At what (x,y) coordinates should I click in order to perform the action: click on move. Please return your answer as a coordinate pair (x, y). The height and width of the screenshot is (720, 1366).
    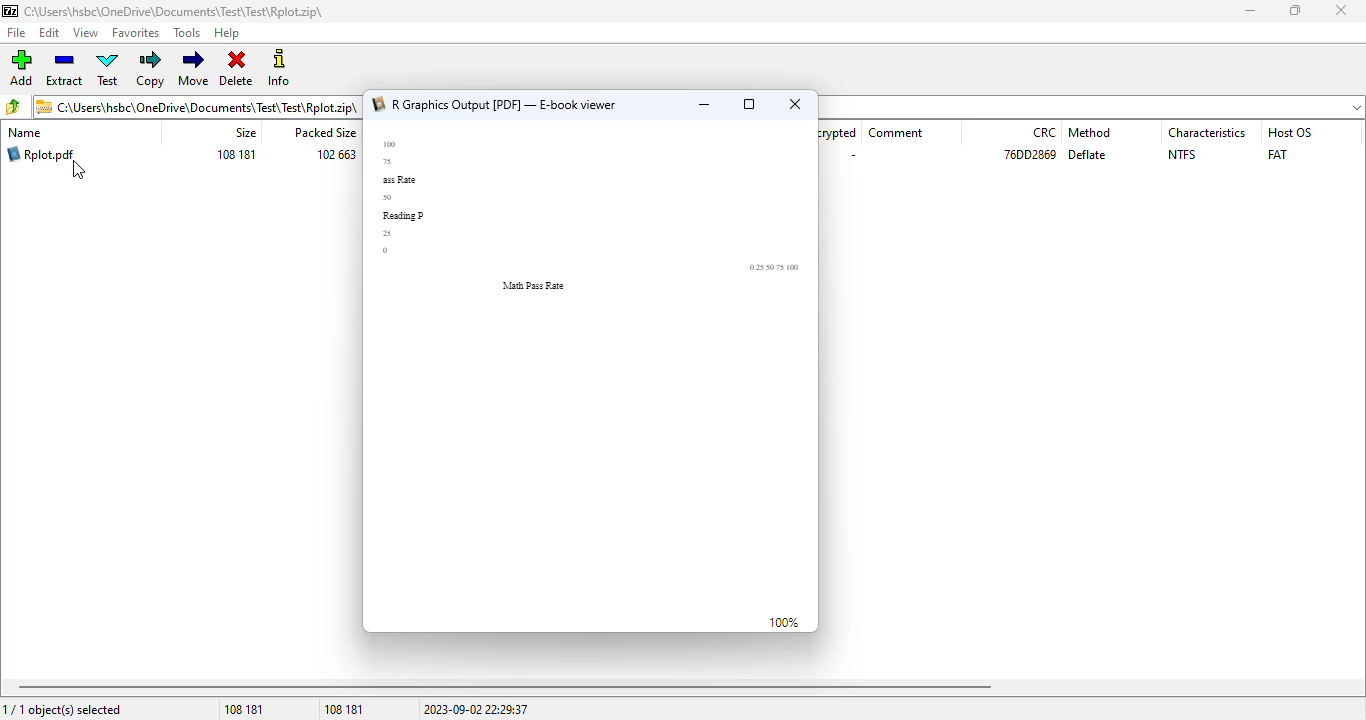
    Looking at the image, I should click on (193, 68).